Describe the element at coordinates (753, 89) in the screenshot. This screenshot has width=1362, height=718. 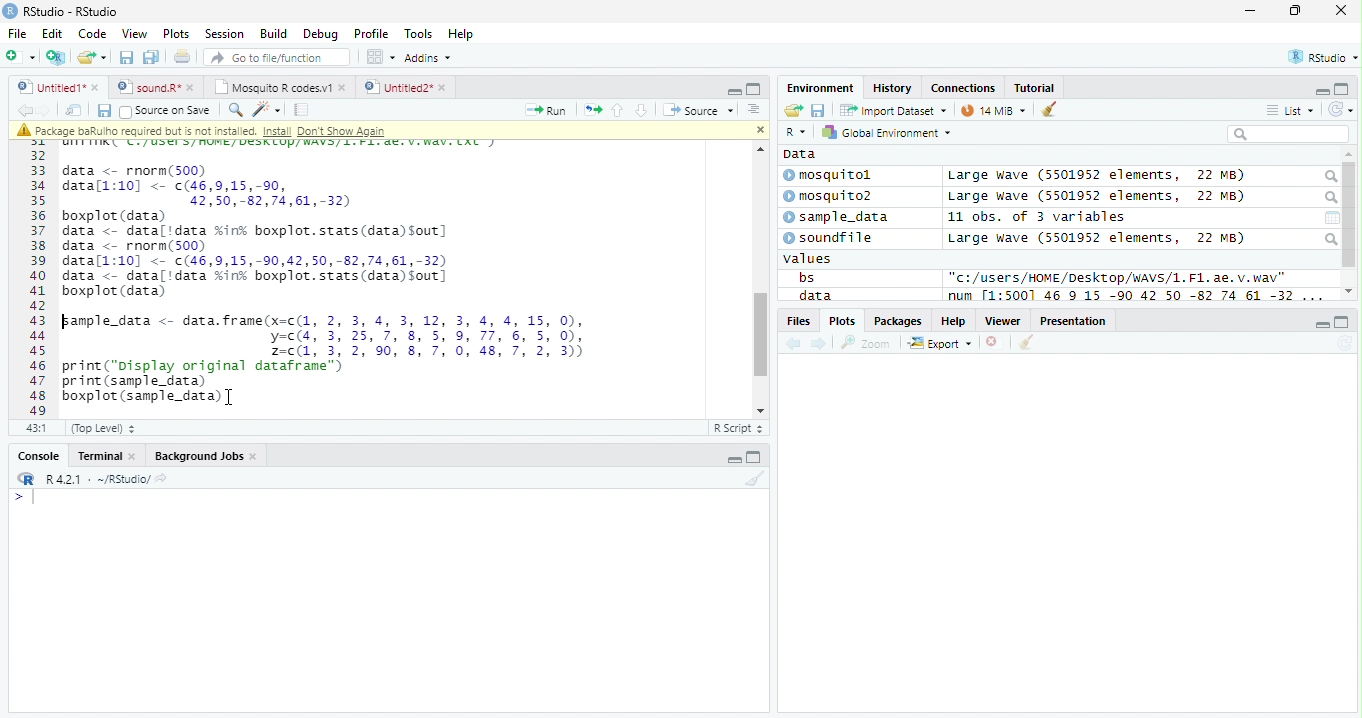
I see `Full screen` at that location.